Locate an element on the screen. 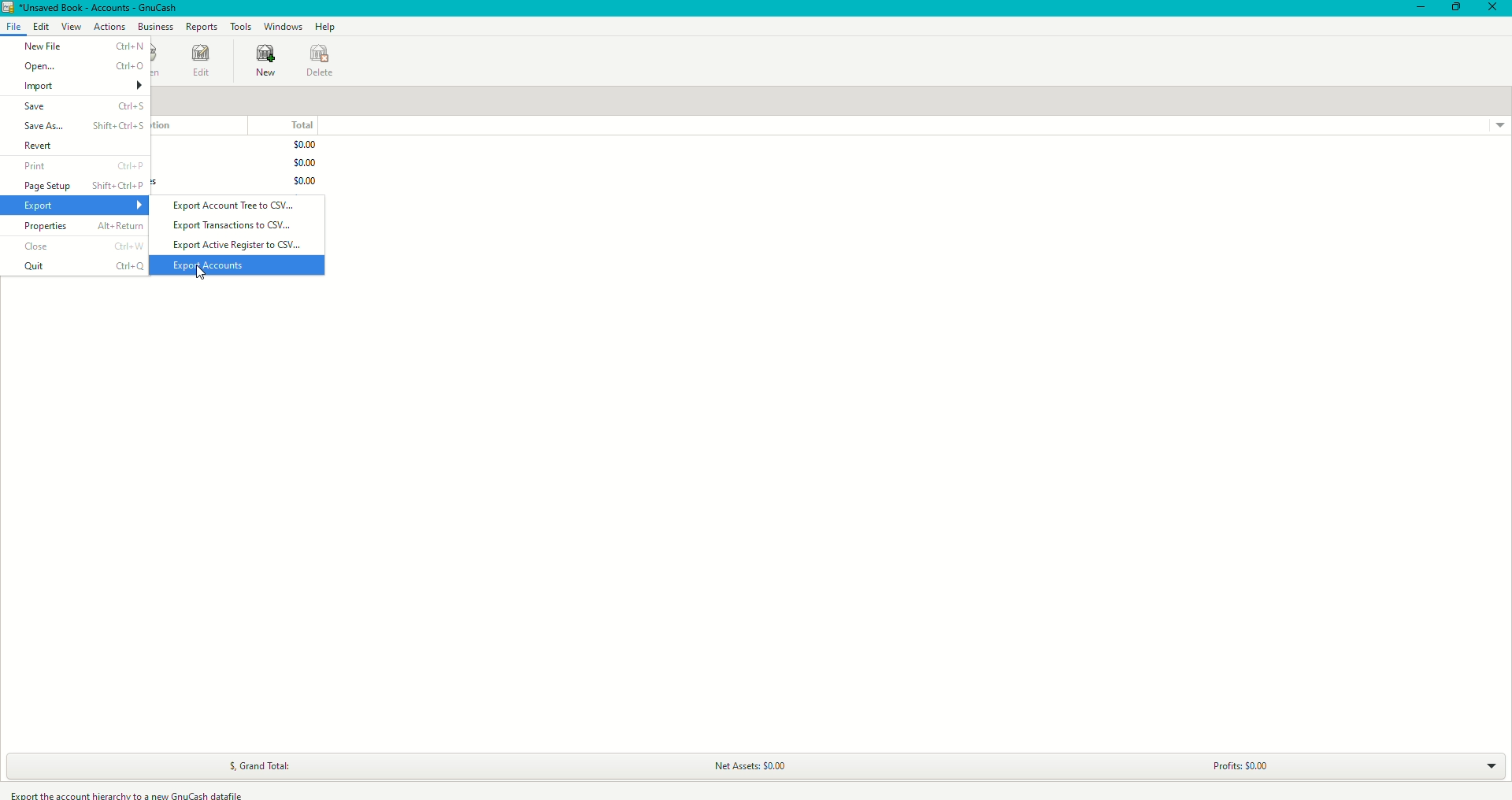  Import is located at coordinates (85, 87).